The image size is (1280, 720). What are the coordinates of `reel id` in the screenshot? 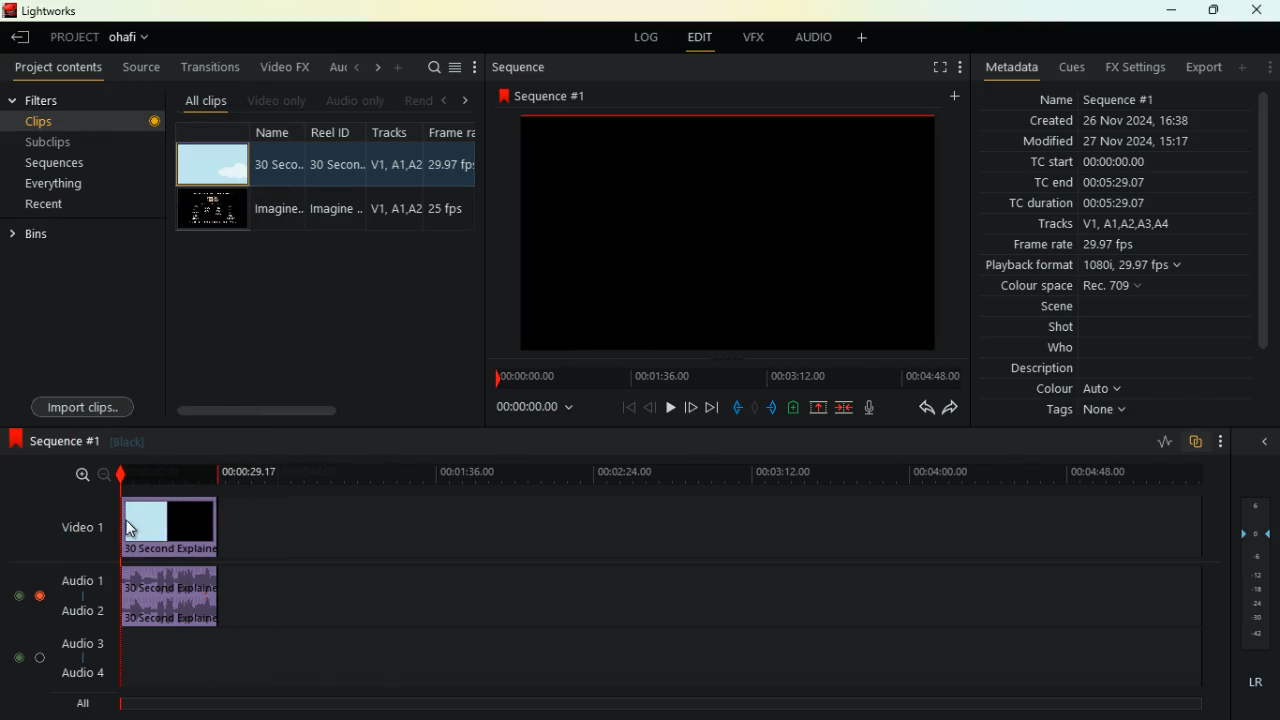 It's located at (339, 178).